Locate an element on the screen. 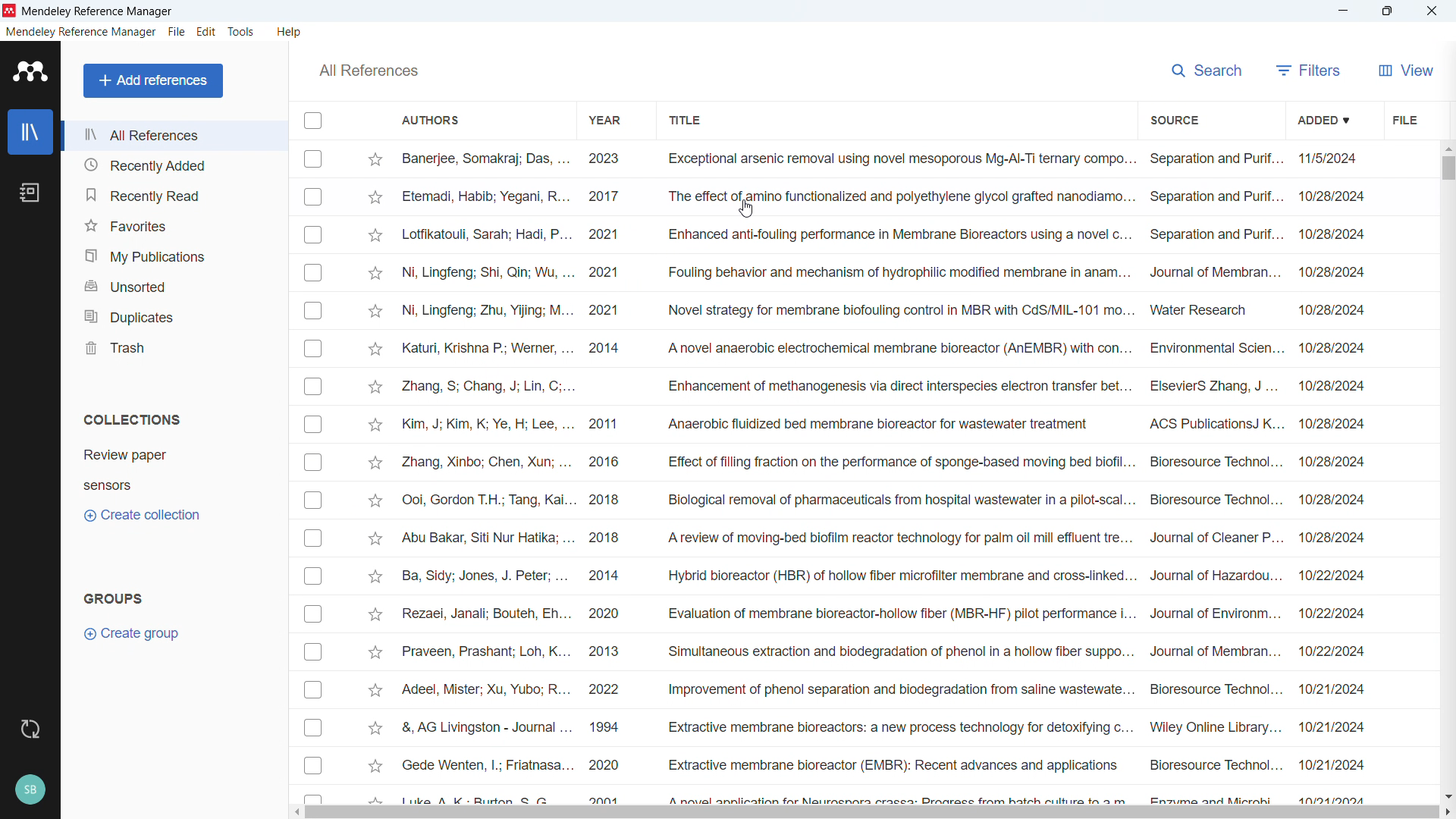 This screenshot has width=1456, height=819. library is located at coordinates (30, 132).